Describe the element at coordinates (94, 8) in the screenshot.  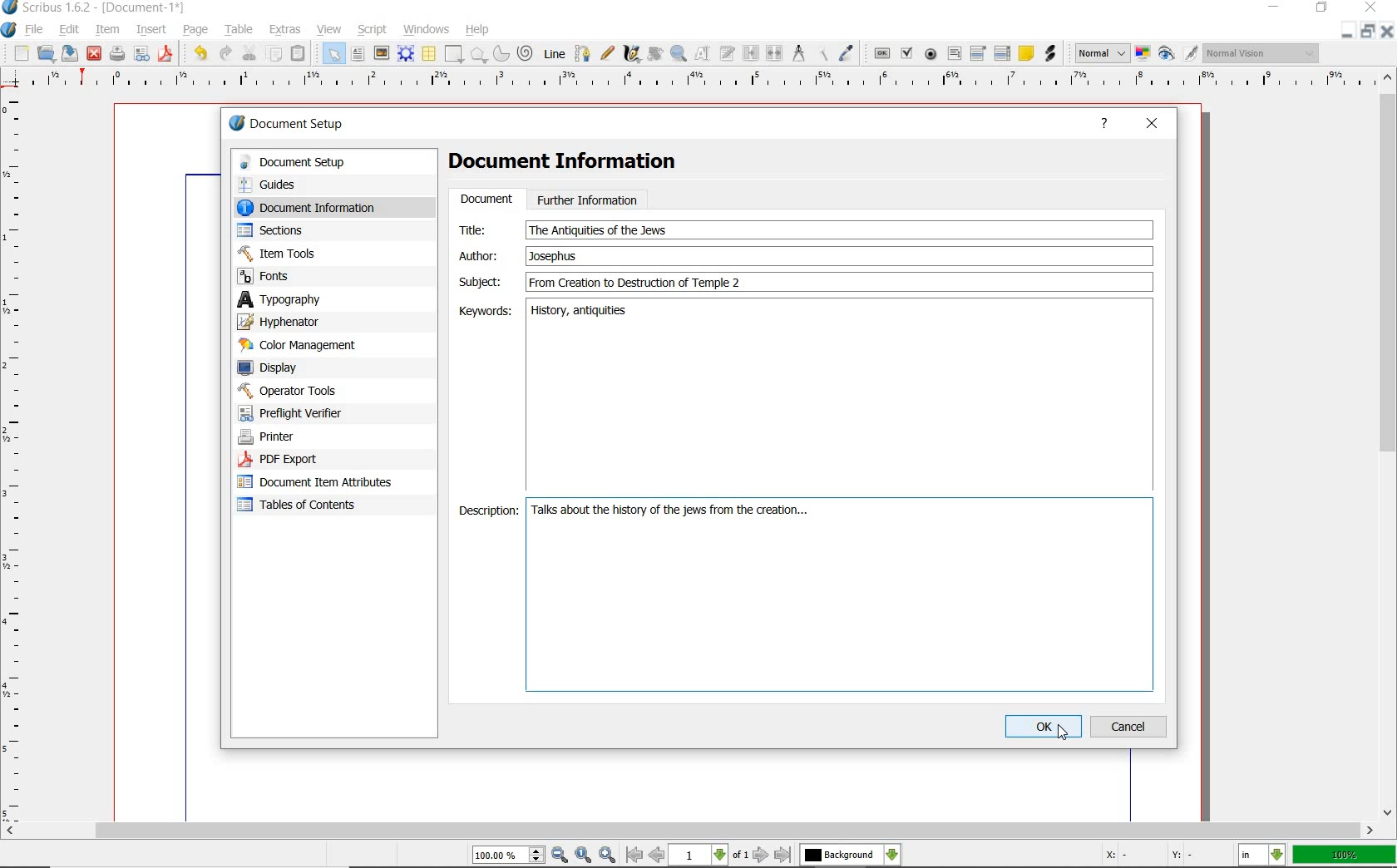
I see `system name` at that location.